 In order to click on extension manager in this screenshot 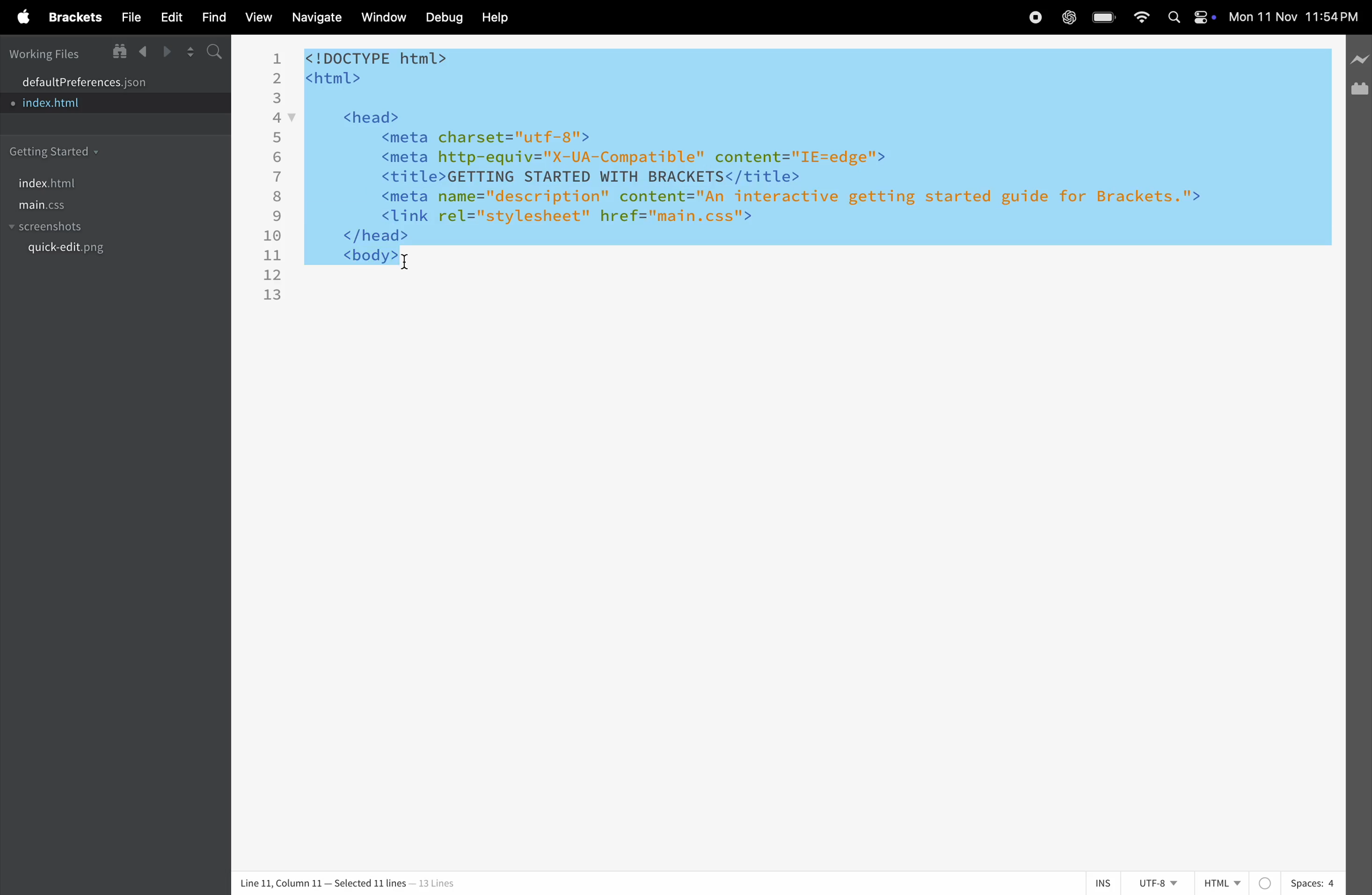, I will do `click(1360, 88)`.